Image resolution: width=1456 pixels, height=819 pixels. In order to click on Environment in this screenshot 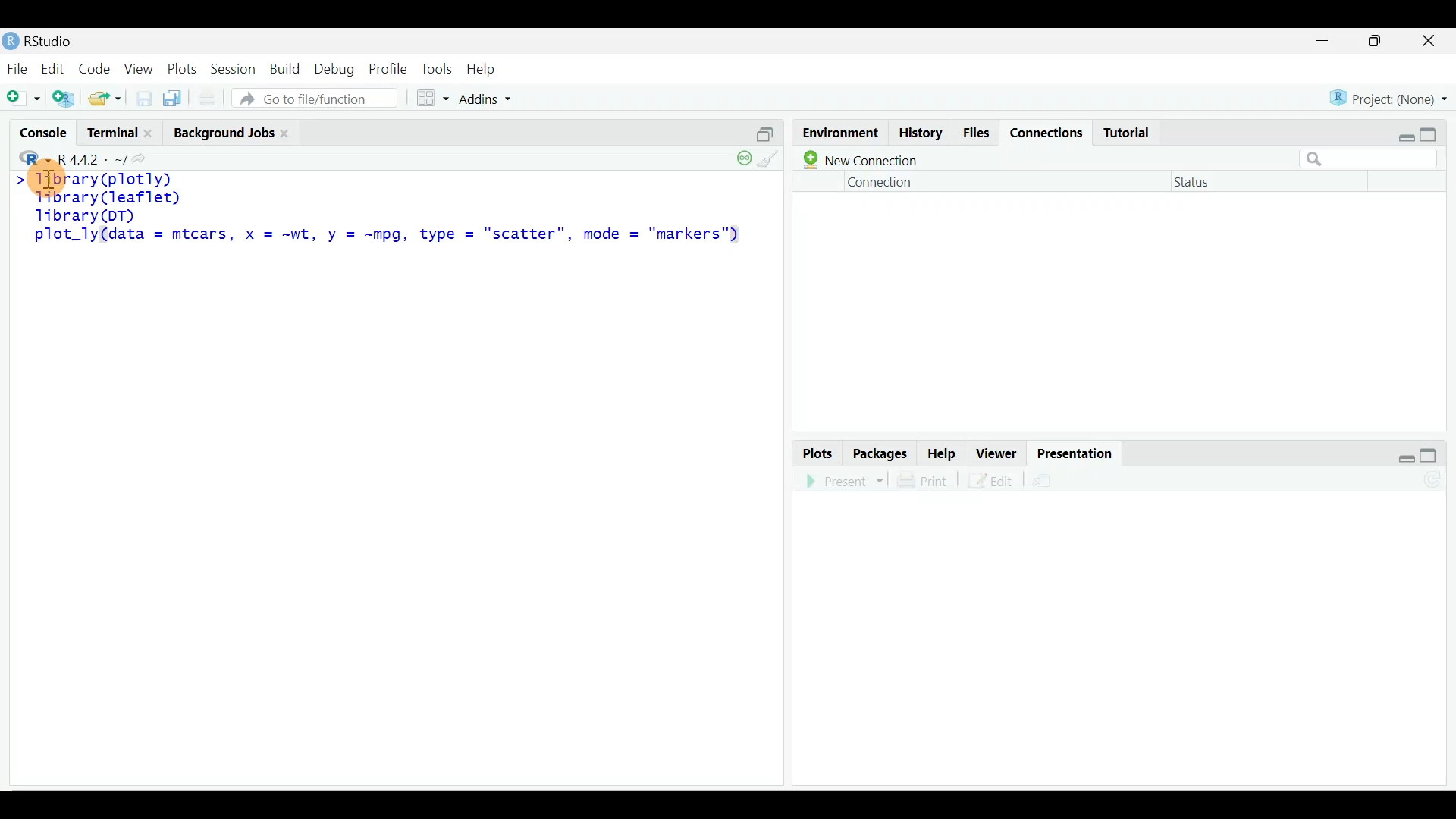, I will do `click(836, 132)`.